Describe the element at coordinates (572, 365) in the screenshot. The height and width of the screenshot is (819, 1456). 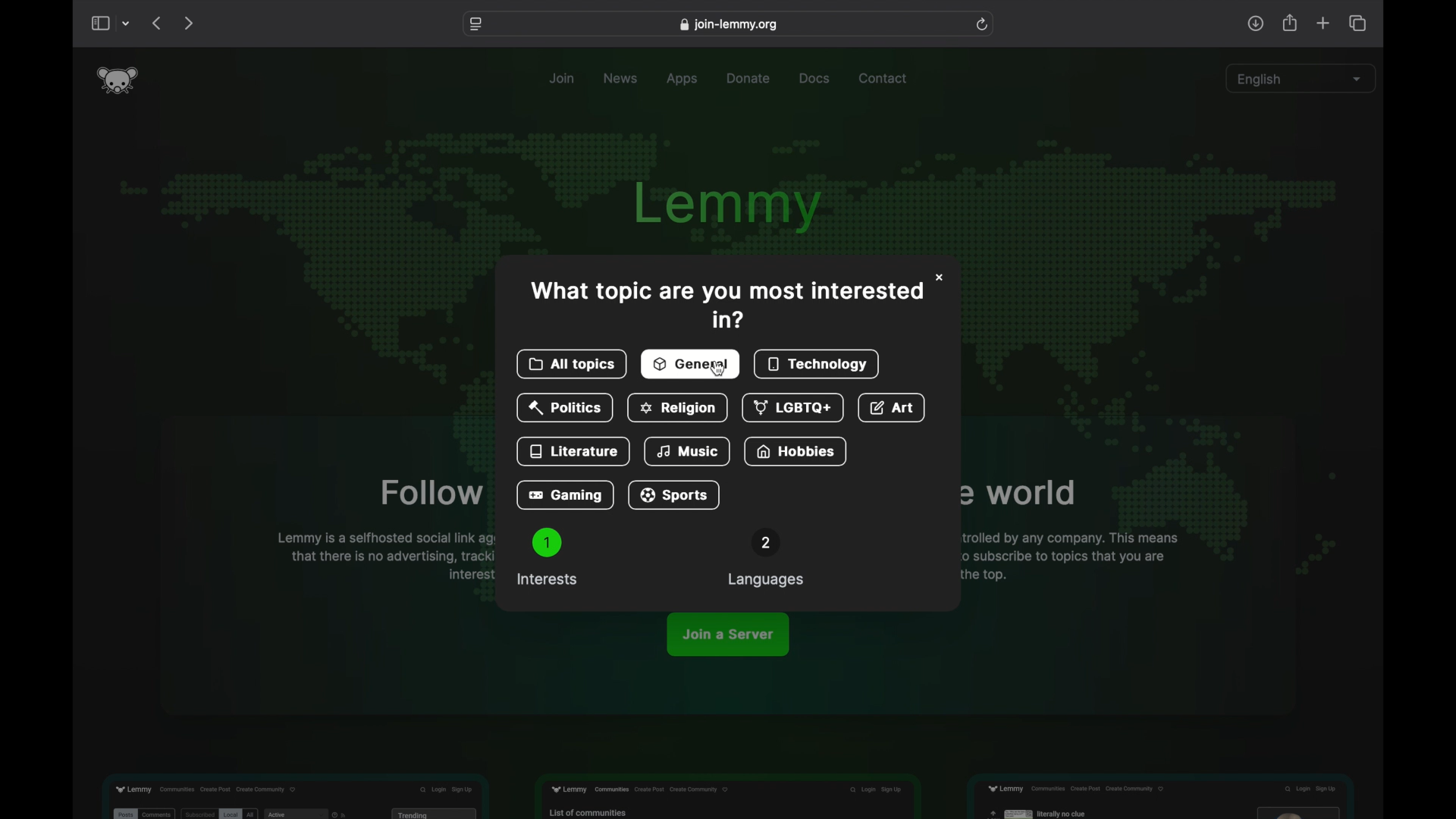
I see `all topics` at that location.